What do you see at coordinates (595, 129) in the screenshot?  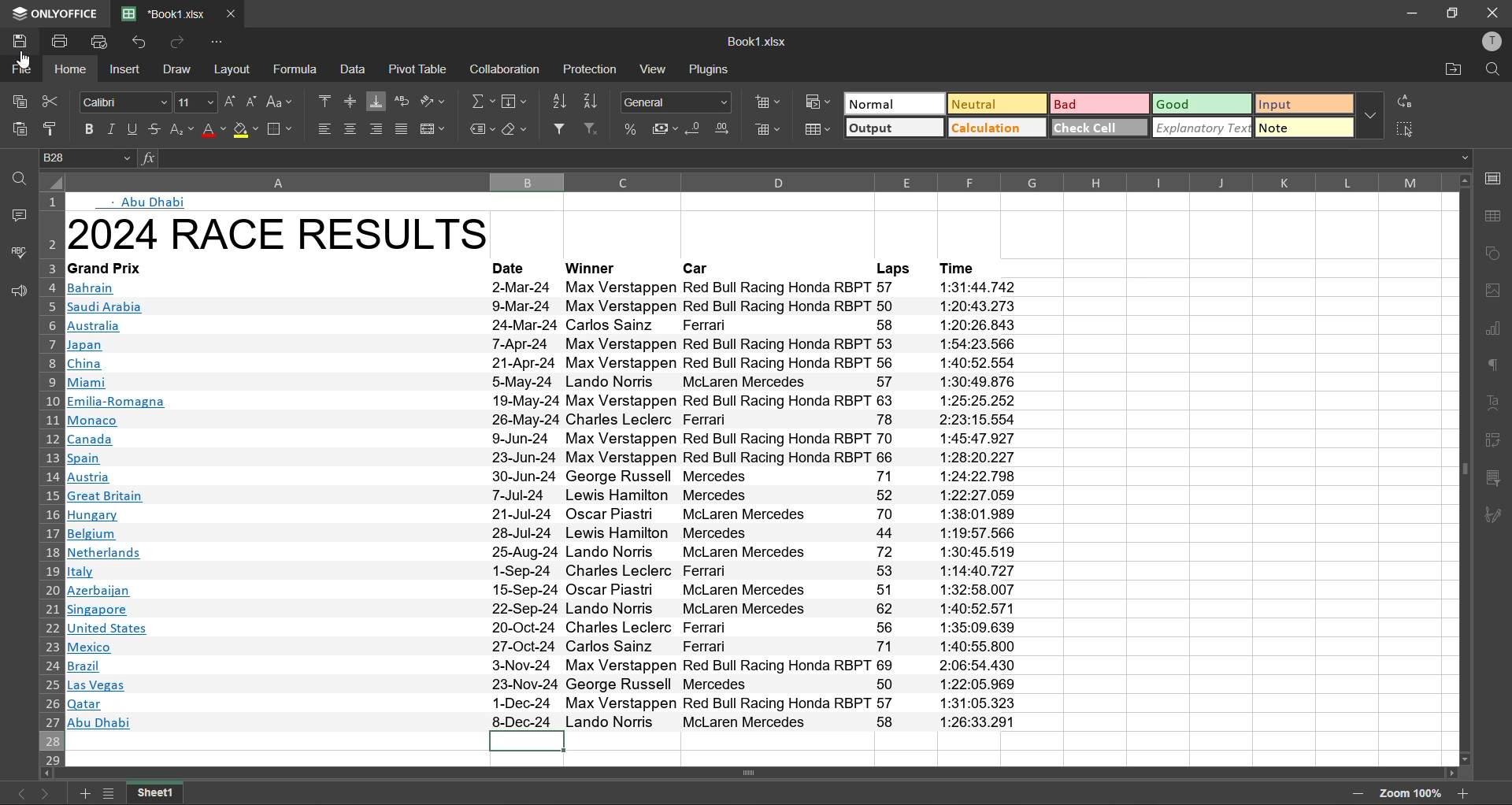 I see `clear filter` at bounding box center [595, 129].